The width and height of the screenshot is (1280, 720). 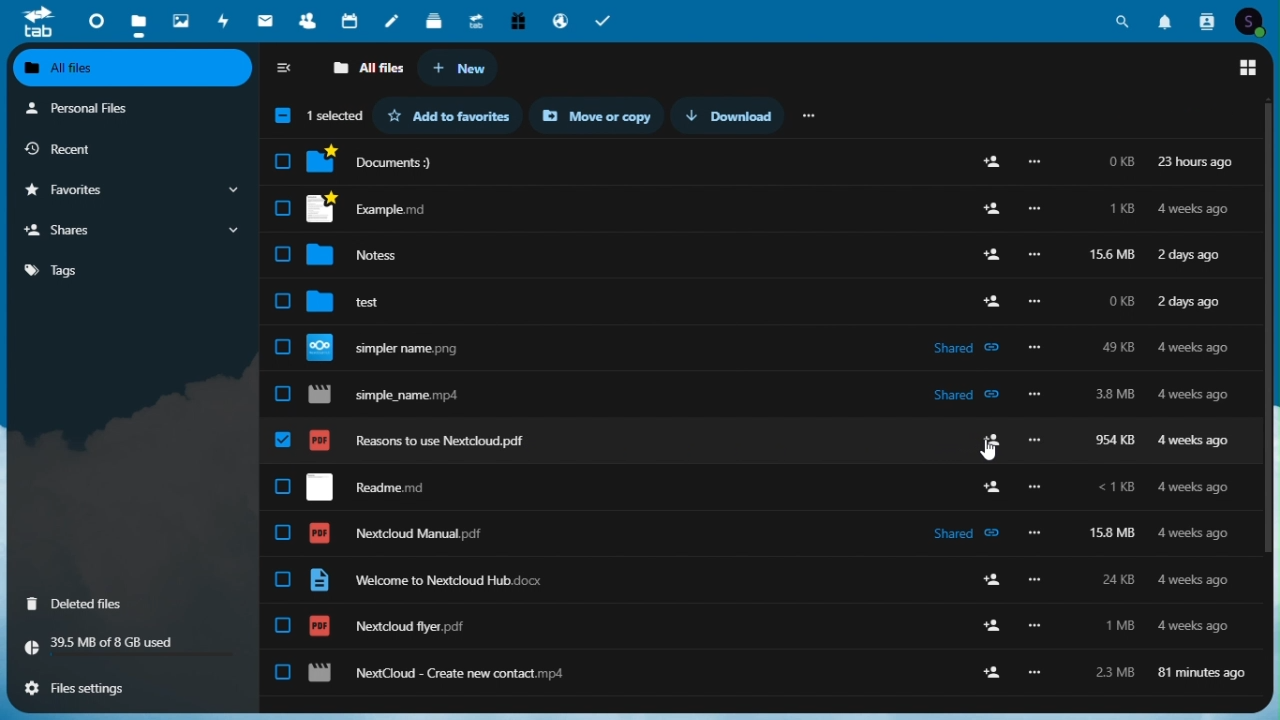 What do you see at coordinates (266, 23) in the screenshot?
I see `mail` at bounding box center [266, 23].